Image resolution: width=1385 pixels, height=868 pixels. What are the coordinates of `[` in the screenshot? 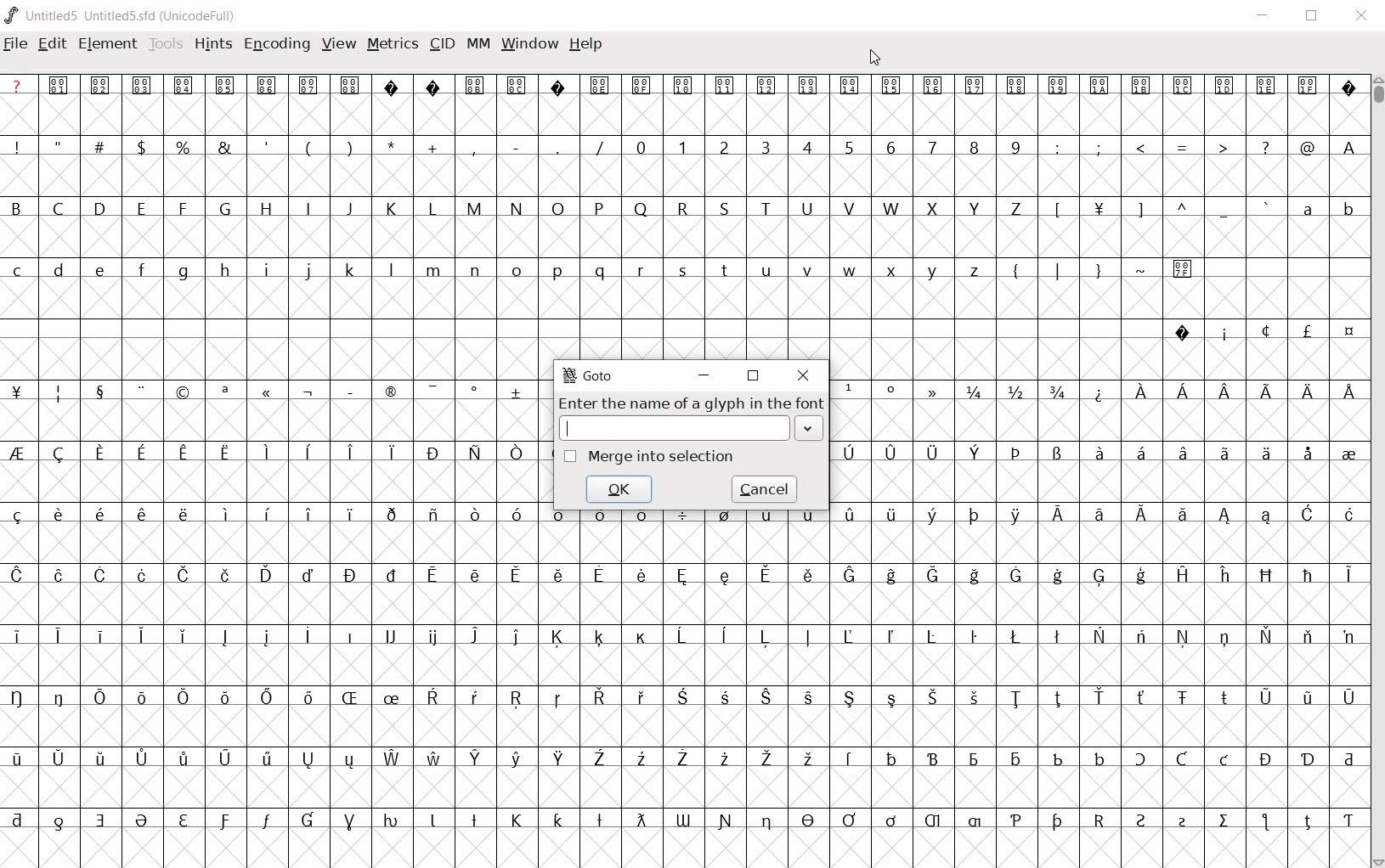 It's located at (1055, 211).